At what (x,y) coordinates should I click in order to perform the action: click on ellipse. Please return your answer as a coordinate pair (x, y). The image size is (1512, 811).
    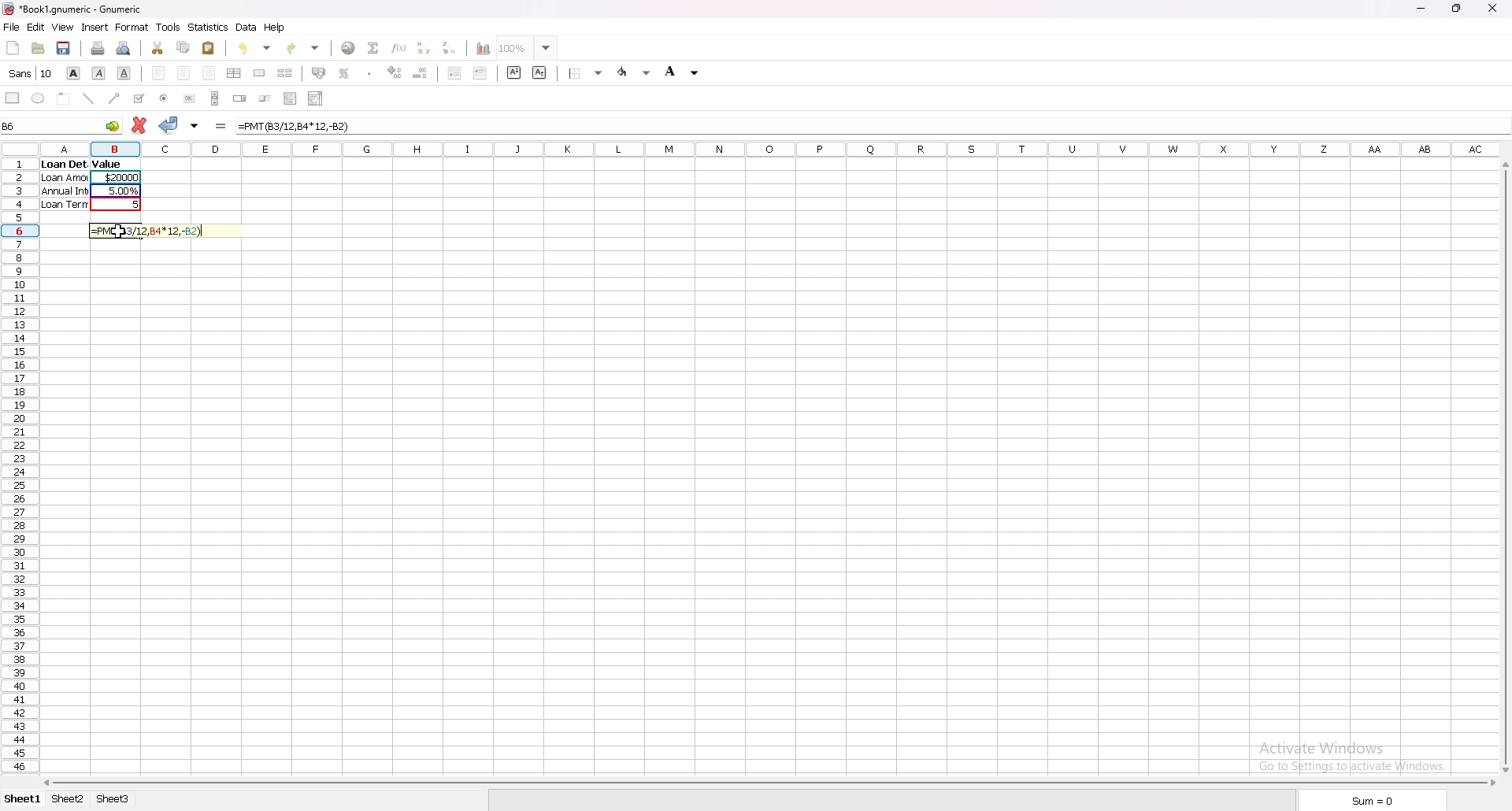
    Looking at the image, I should click on (39, 98).